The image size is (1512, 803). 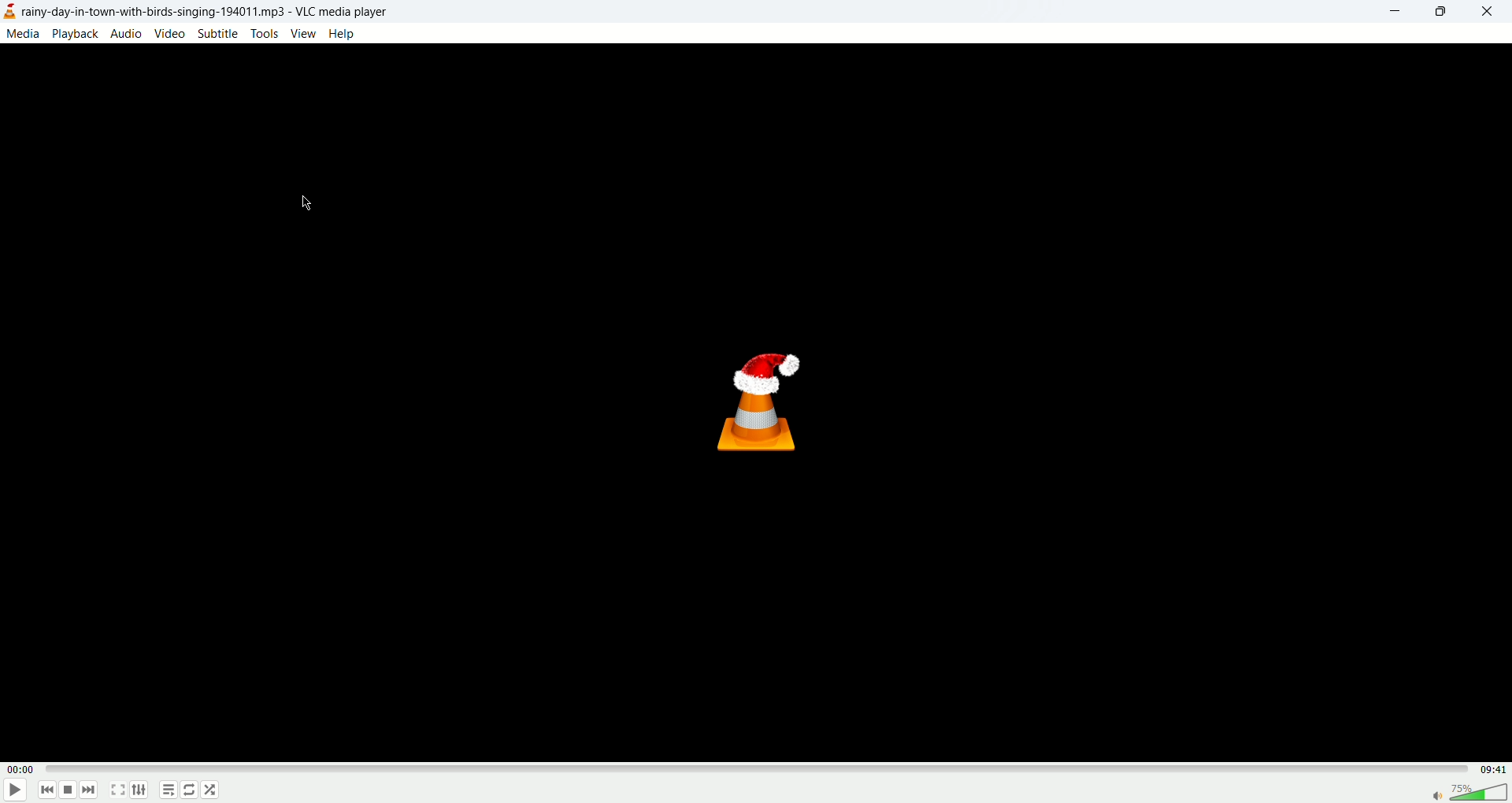 What do you see at coordinates (1392, 13) in the screenshot?
I see `minimize` at bounding box center [1392, 13].